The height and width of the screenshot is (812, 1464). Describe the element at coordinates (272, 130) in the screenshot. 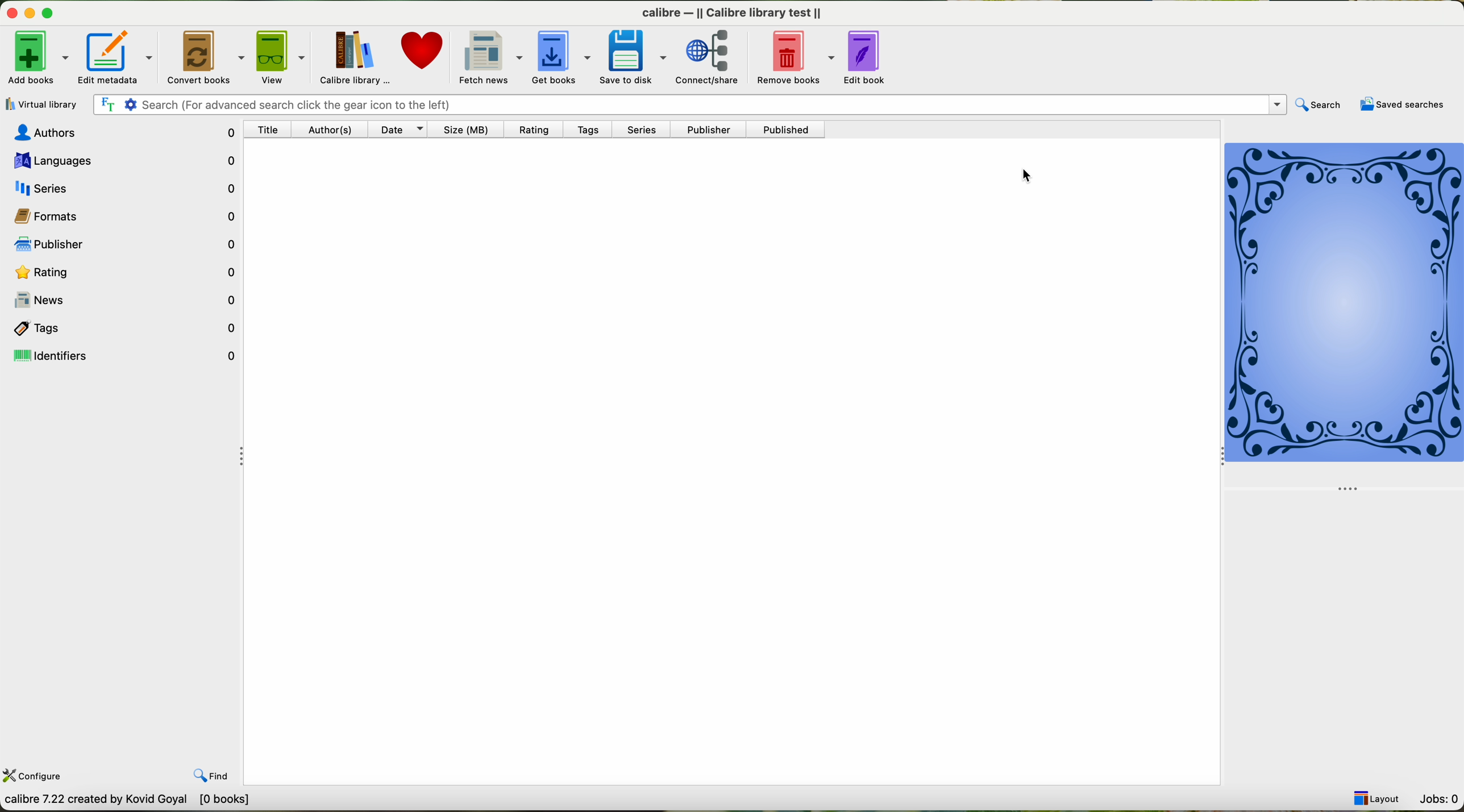

I see `title` at that location.